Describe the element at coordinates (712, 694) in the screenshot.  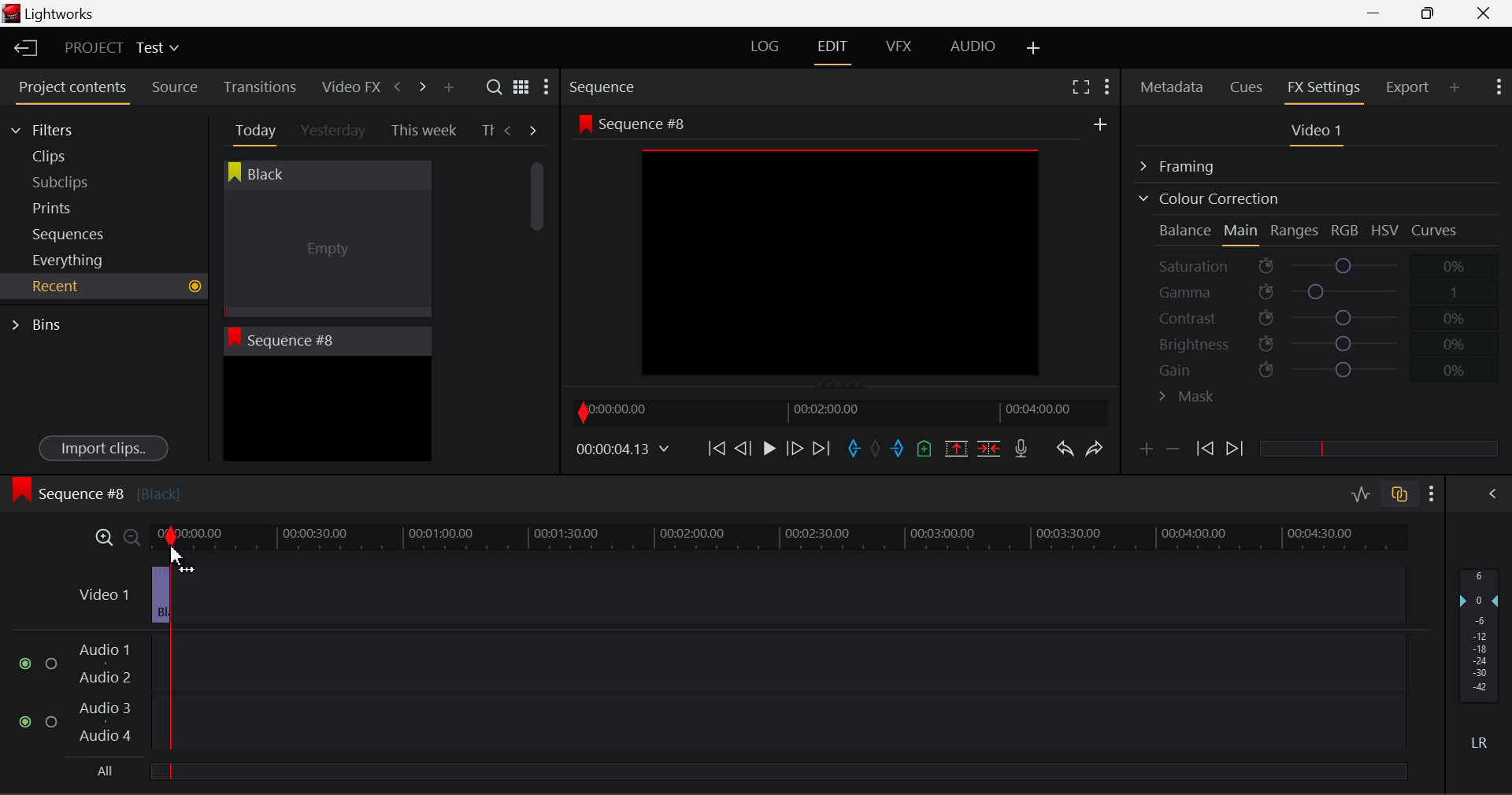
I see `Audio Input Fields` at that location.